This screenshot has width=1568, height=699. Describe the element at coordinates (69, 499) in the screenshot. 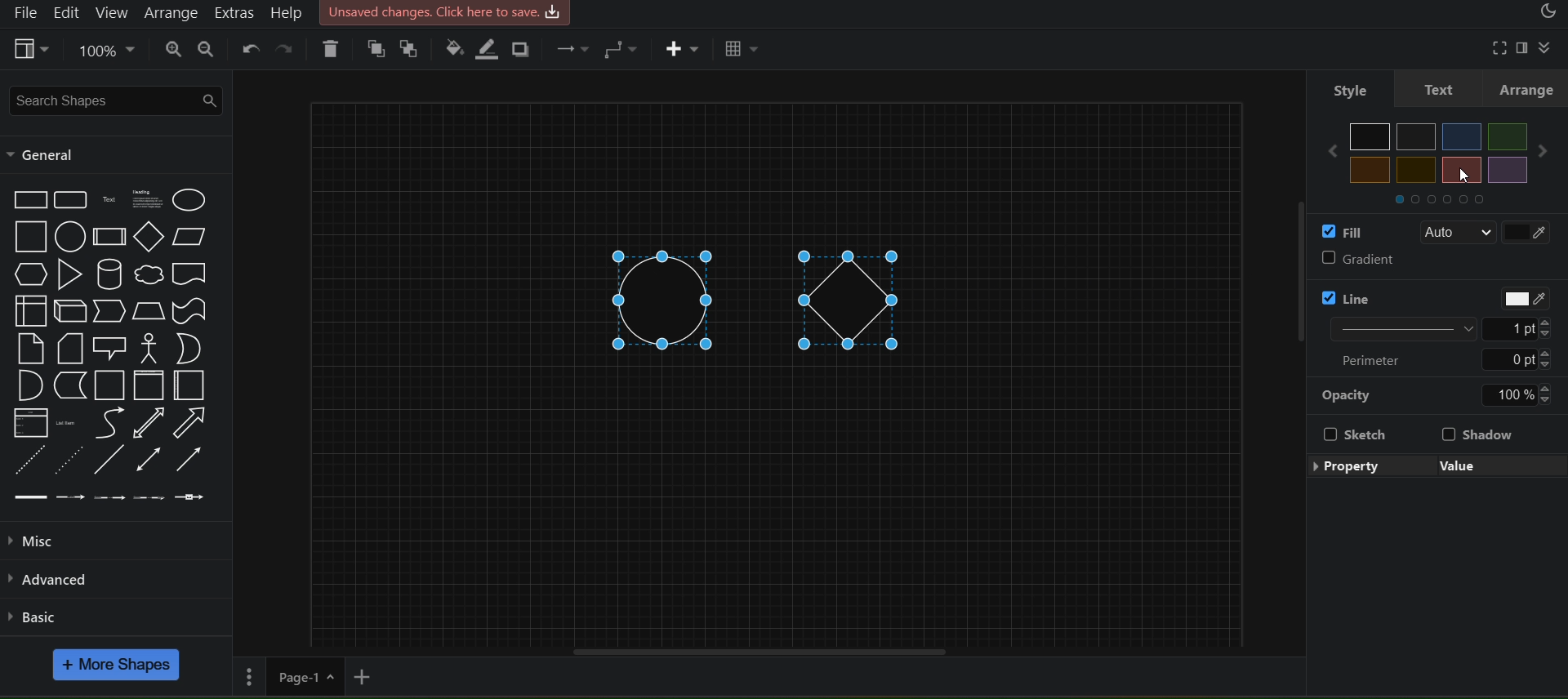

I see `Connector with label` at that location.